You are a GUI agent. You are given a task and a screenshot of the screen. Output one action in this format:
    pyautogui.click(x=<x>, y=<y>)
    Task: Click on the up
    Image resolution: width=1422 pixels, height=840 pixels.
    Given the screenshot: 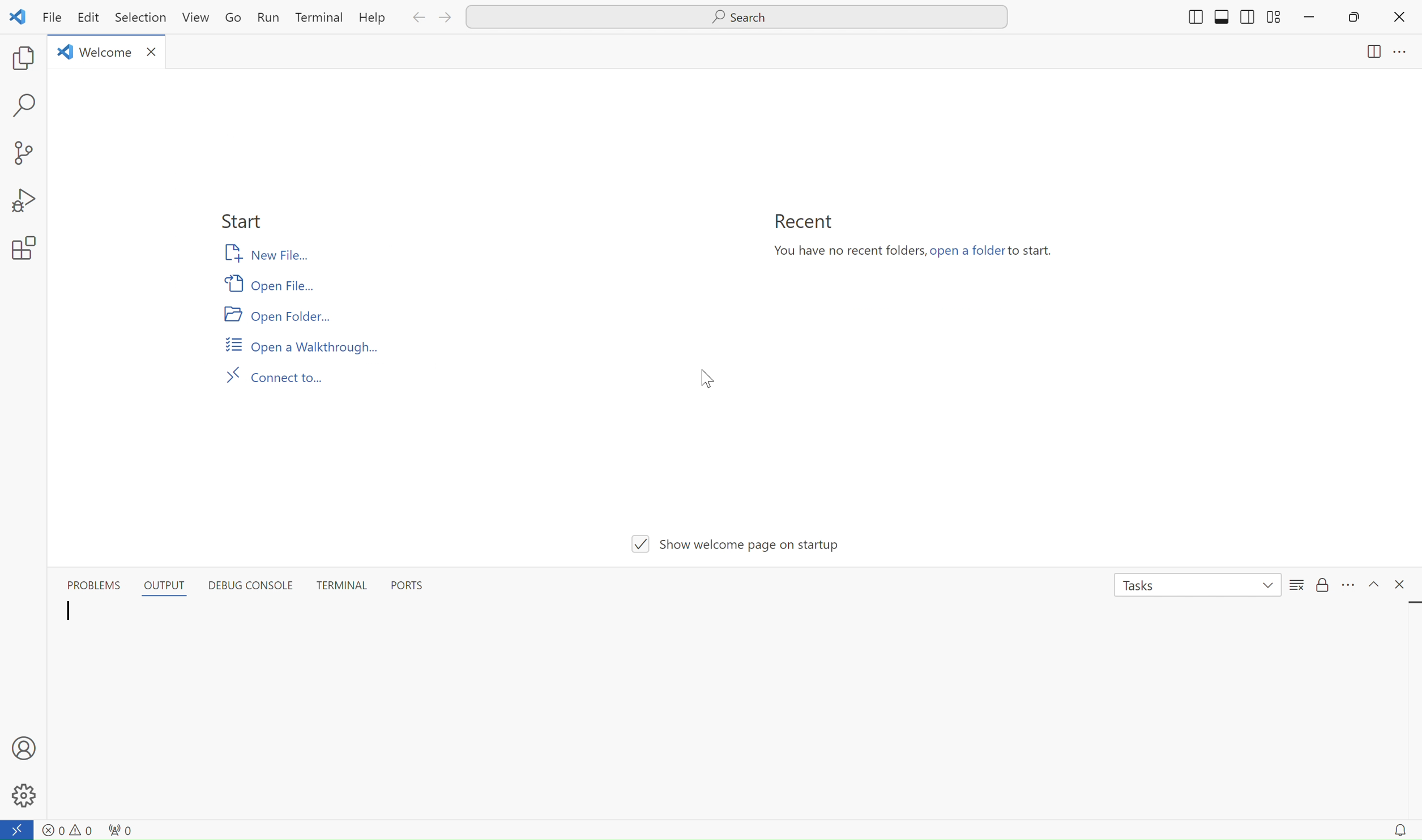 What is the action you would take?
    pyautogui.click(x=1374, y=586)
    